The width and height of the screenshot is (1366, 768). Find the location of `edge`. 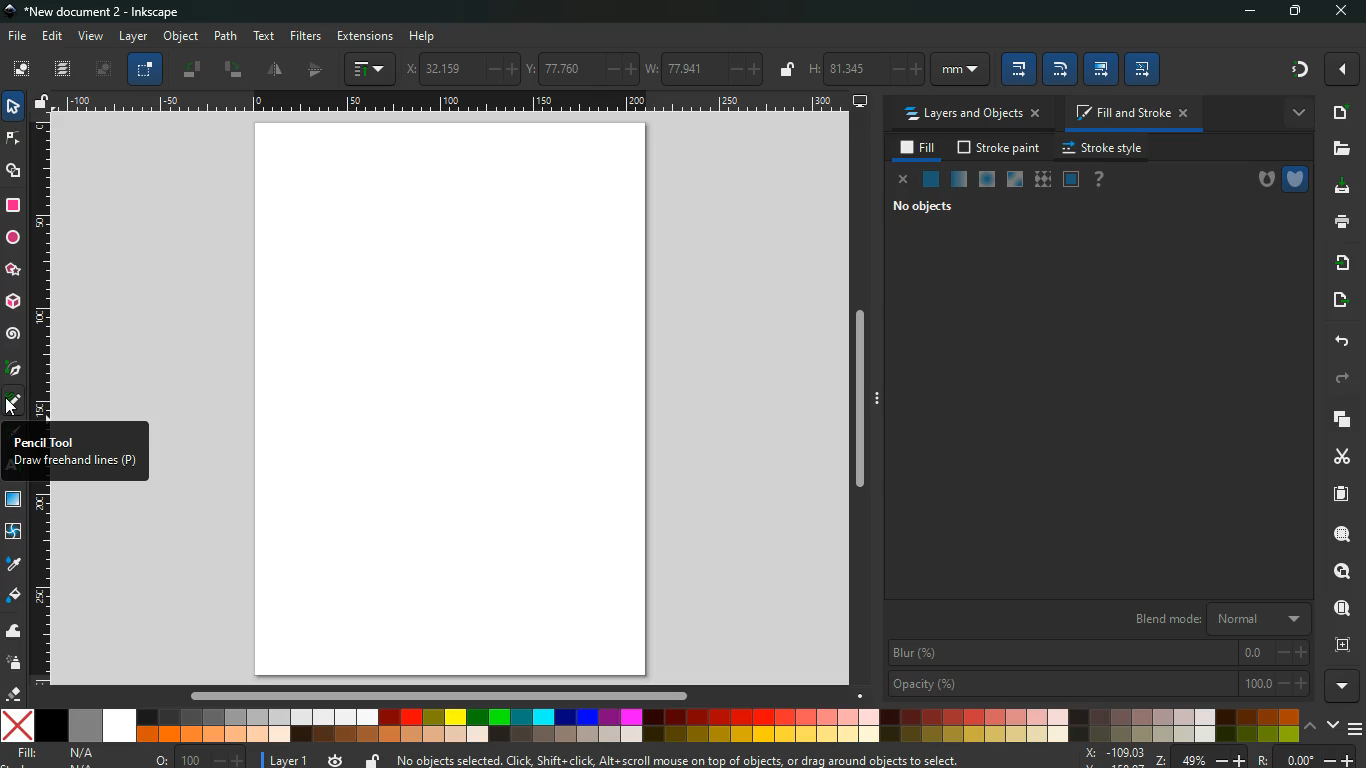

edge is located at coordinates (13, 141).